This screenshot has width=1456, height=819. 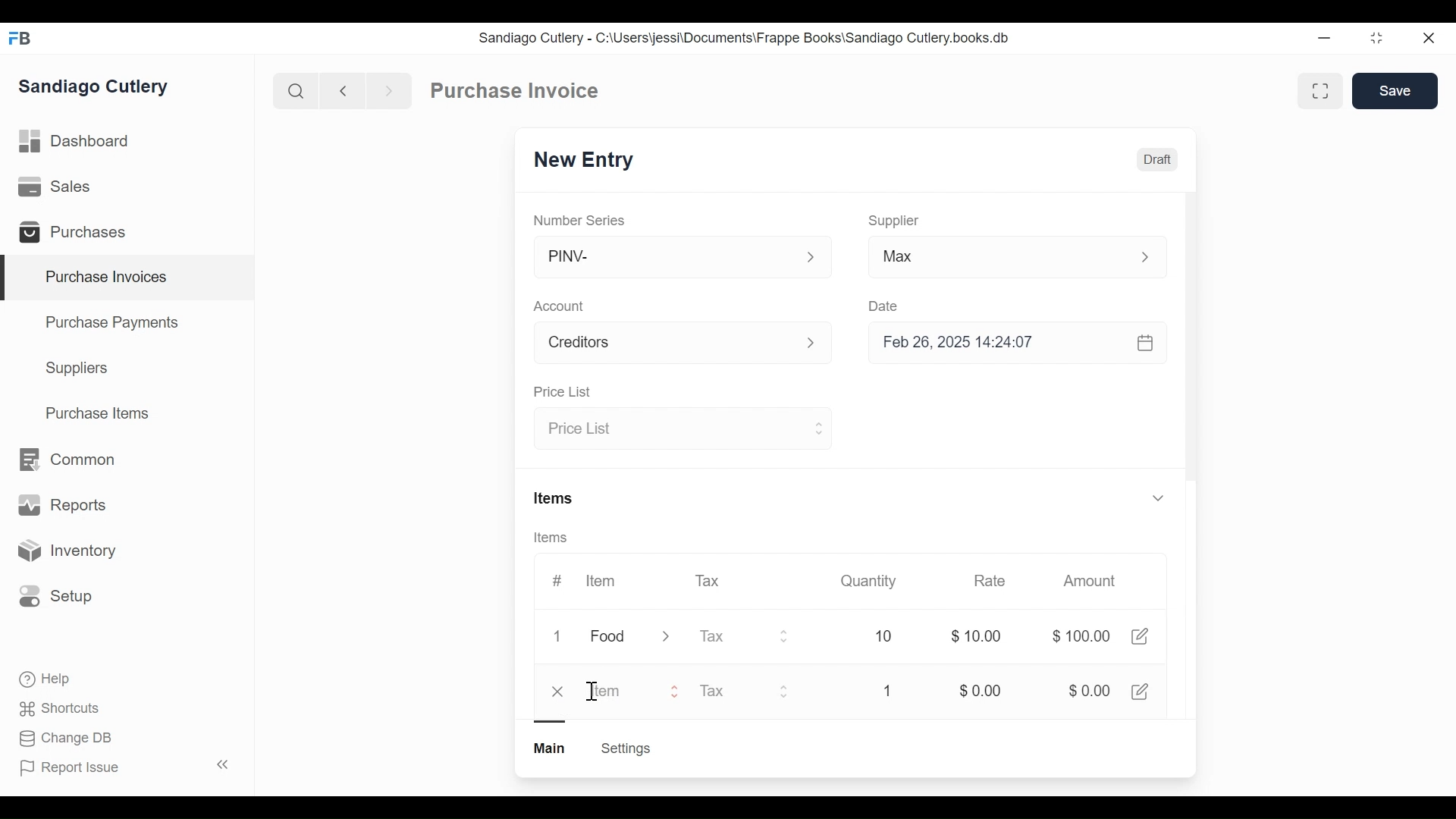 I want to click on Toggle between form and full view, so click(x=1321, y=91).